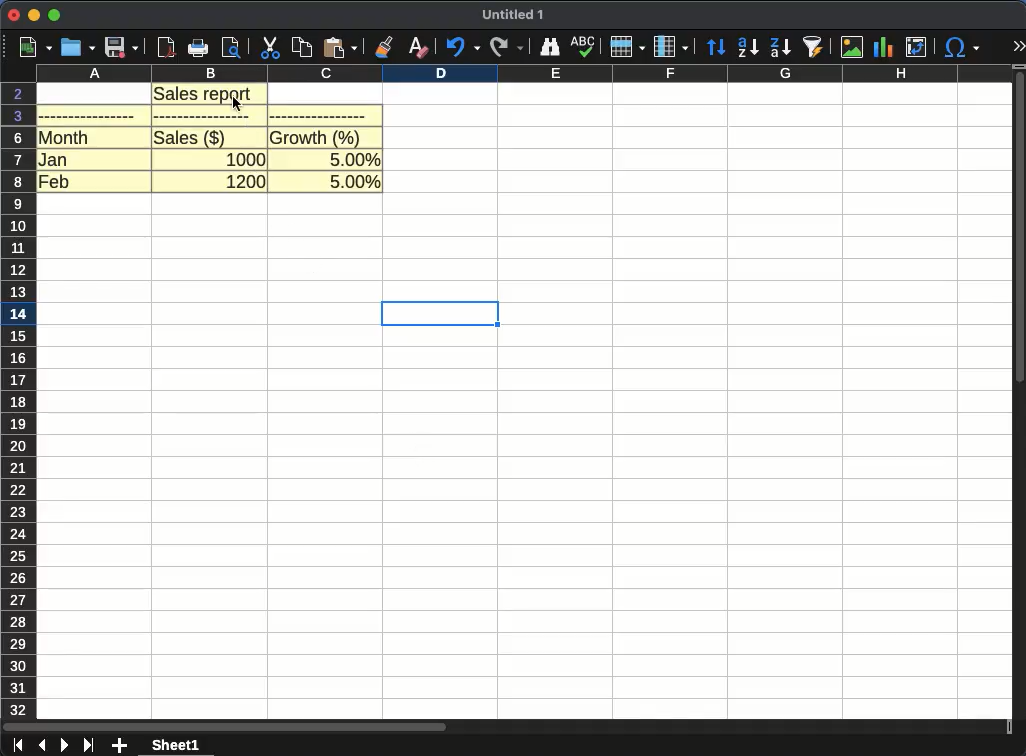 The width and height of the screenshot is (1026, 756). I want to click on blank, so click(88, 115).